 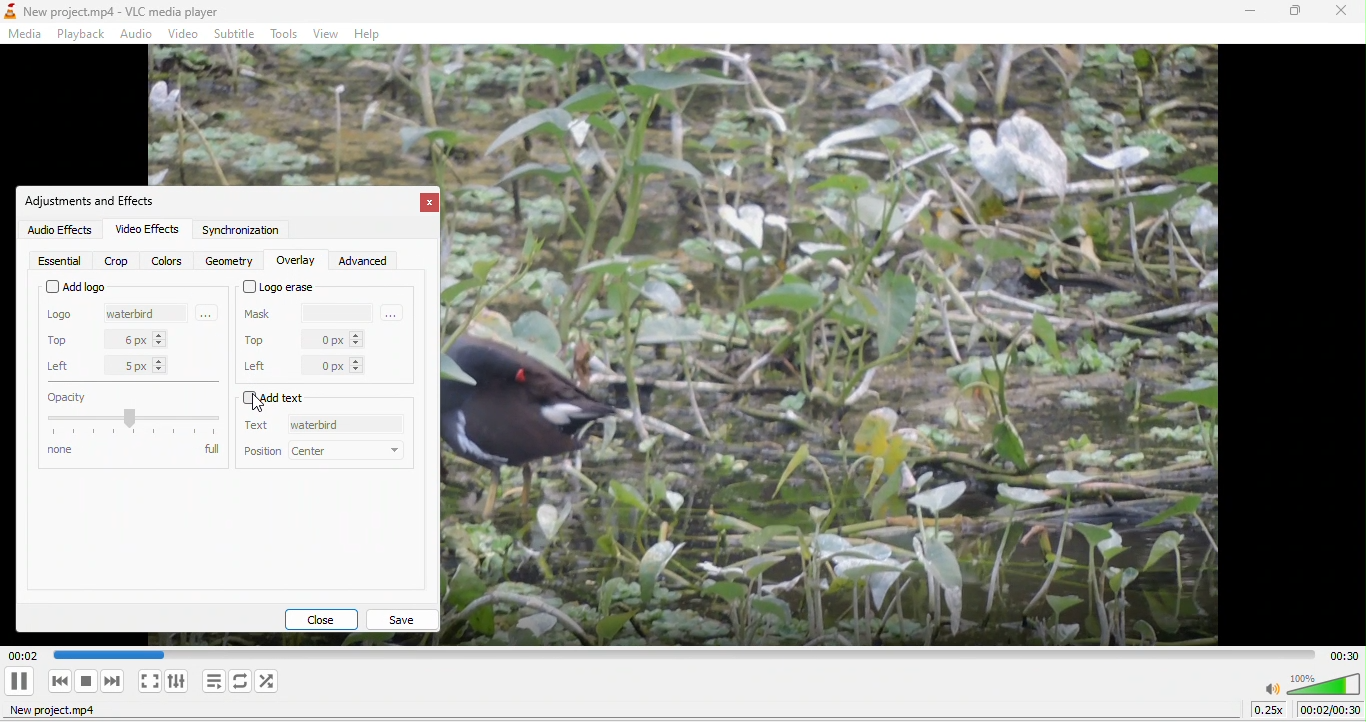 I want to click on add logo, so click(x=73, y=287).